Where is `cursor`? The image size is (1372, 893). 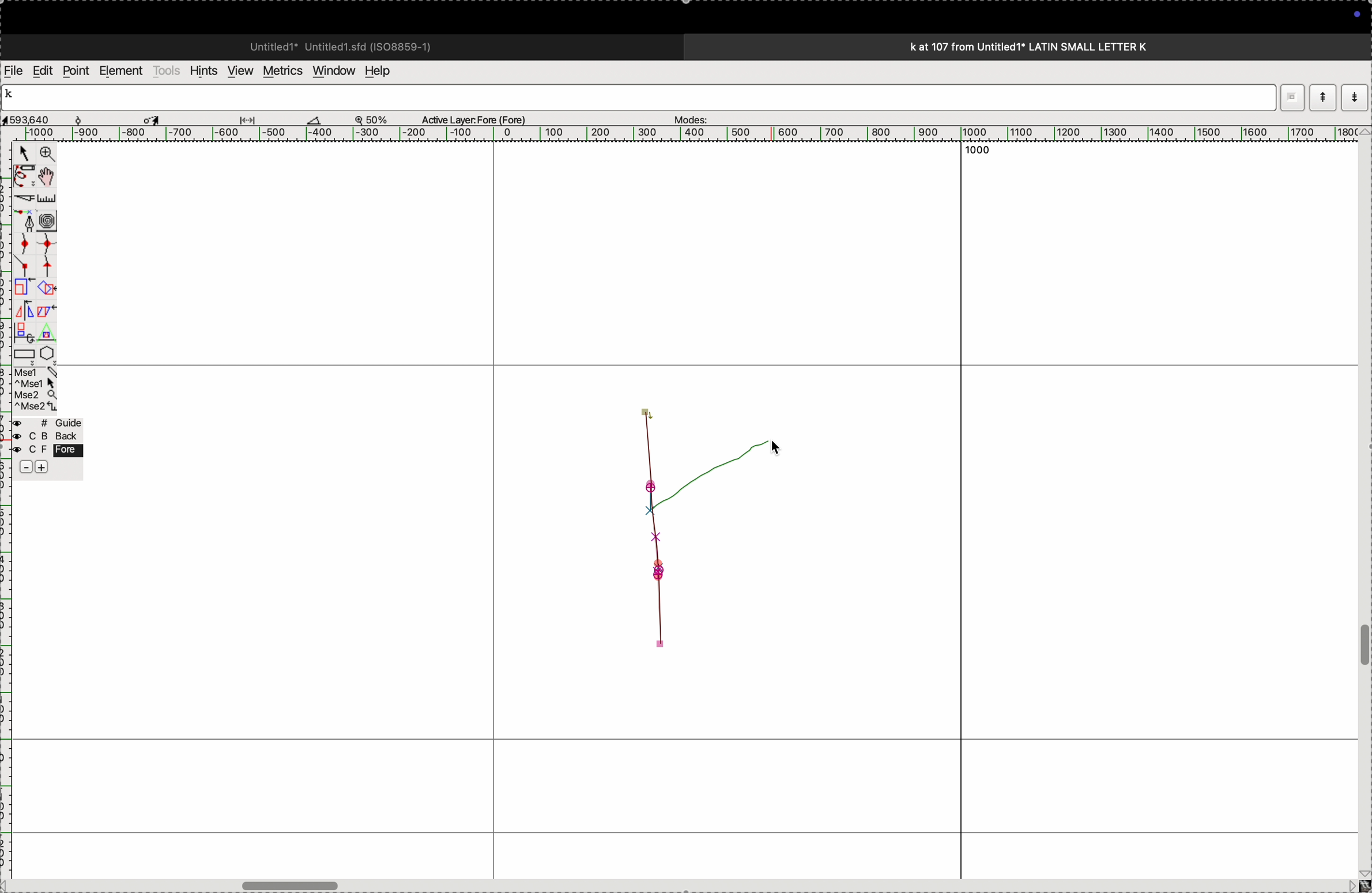 cursor is located at coordinates (154, 118).